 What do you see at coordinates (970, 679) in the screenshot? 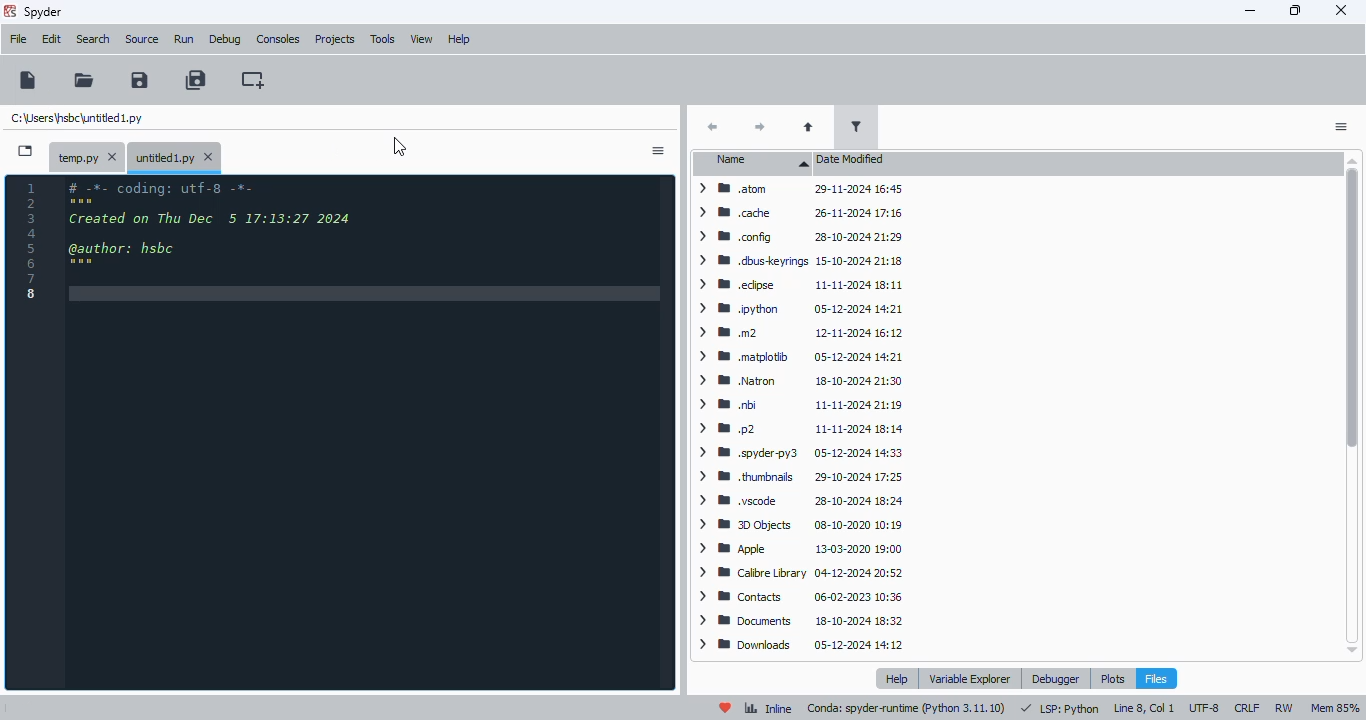
I see `variable explorer` at bounding box center [970, 679].